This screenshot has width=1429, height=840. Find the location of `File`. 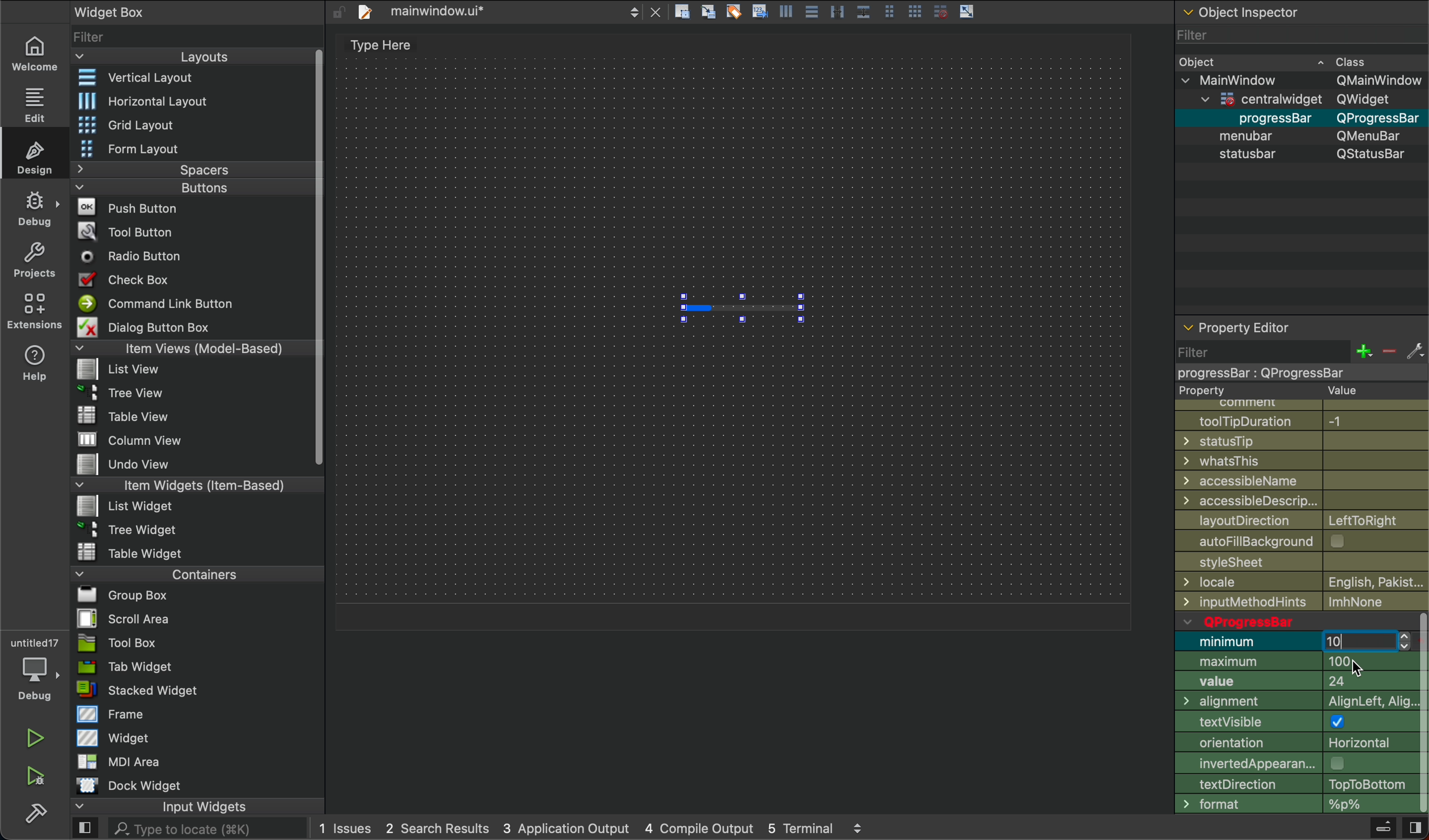

File is located at coordinates (129, 415).